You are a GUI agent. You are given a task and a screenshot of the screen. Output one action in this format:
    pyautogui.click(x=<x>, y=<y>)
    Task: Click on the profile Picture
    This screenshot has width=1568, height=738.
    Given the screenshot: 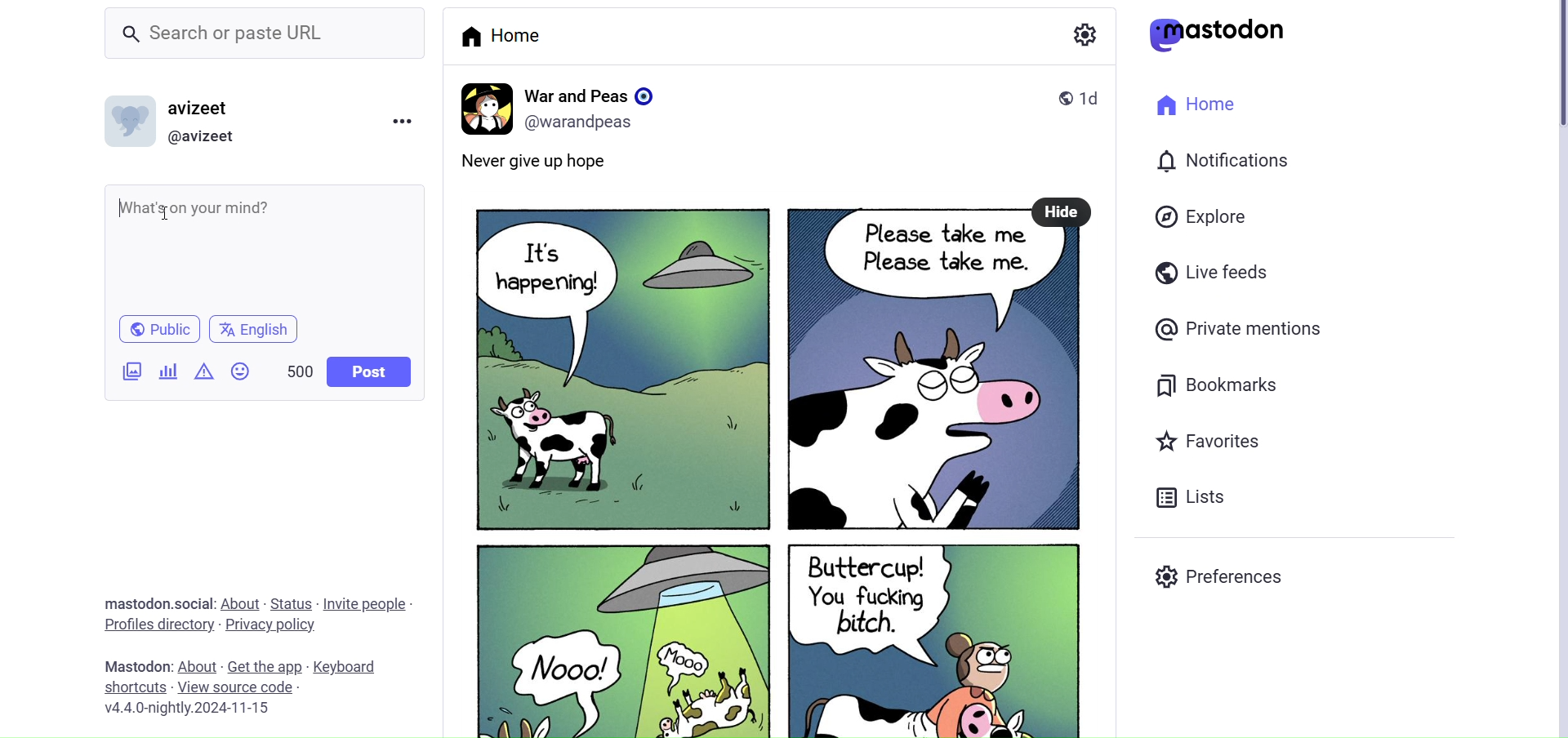 What is the action you would take?
    pyautogui.click(x=483, y=106)
    